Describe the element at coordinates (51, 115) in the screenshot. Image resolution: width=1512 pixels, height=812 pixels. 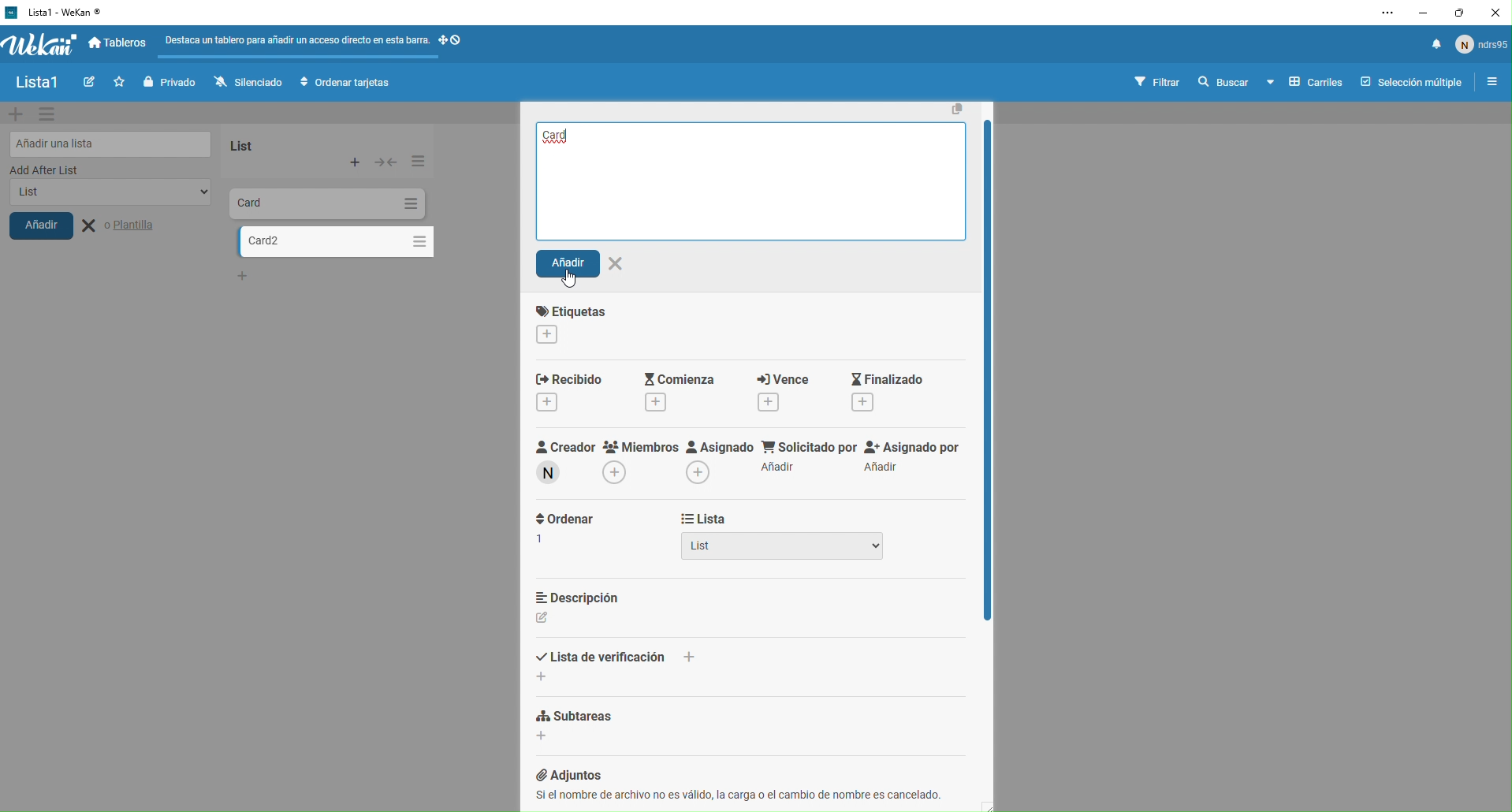
I see `settings` at that location.